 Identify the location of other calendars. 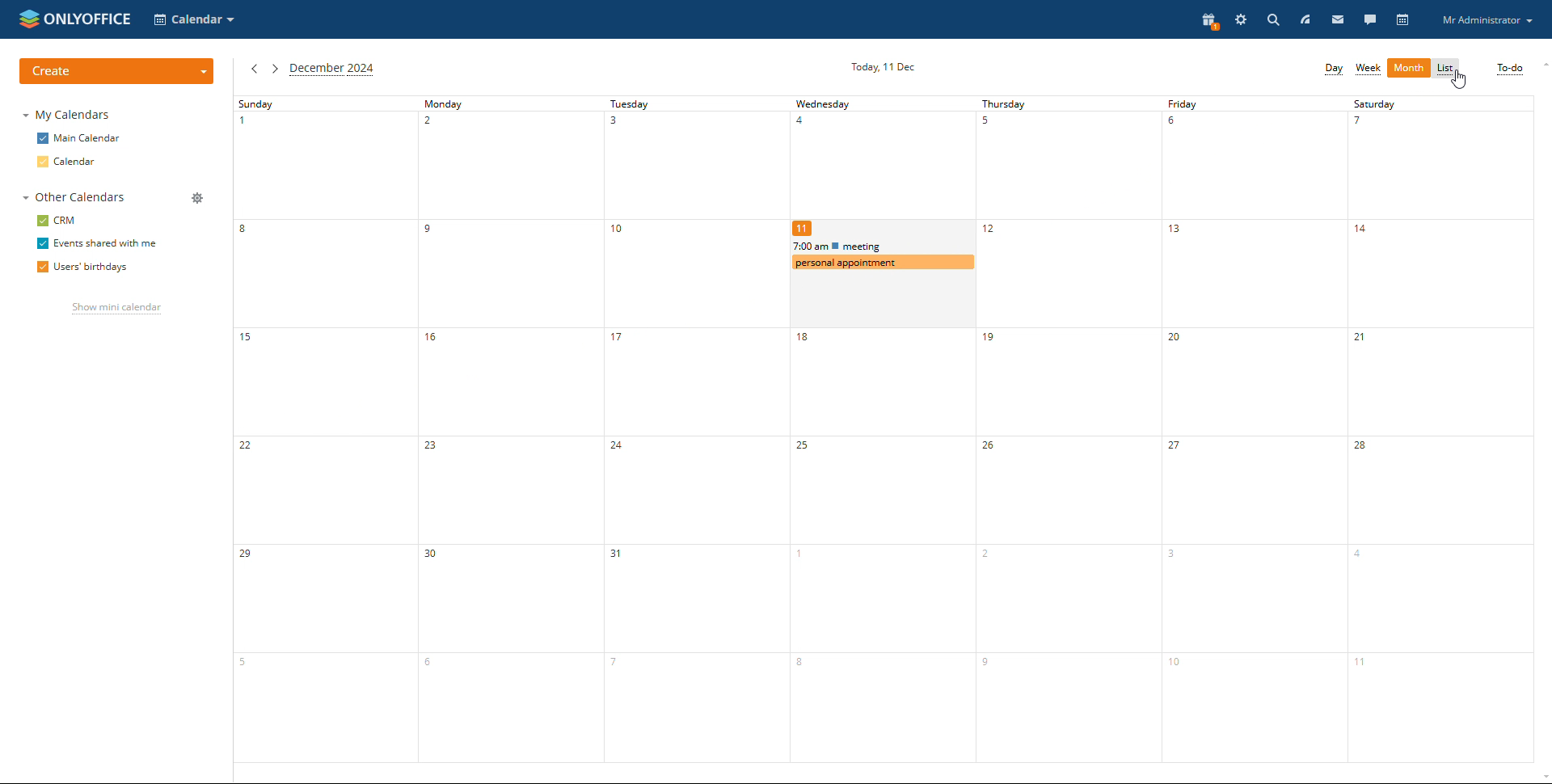
(77, 196).